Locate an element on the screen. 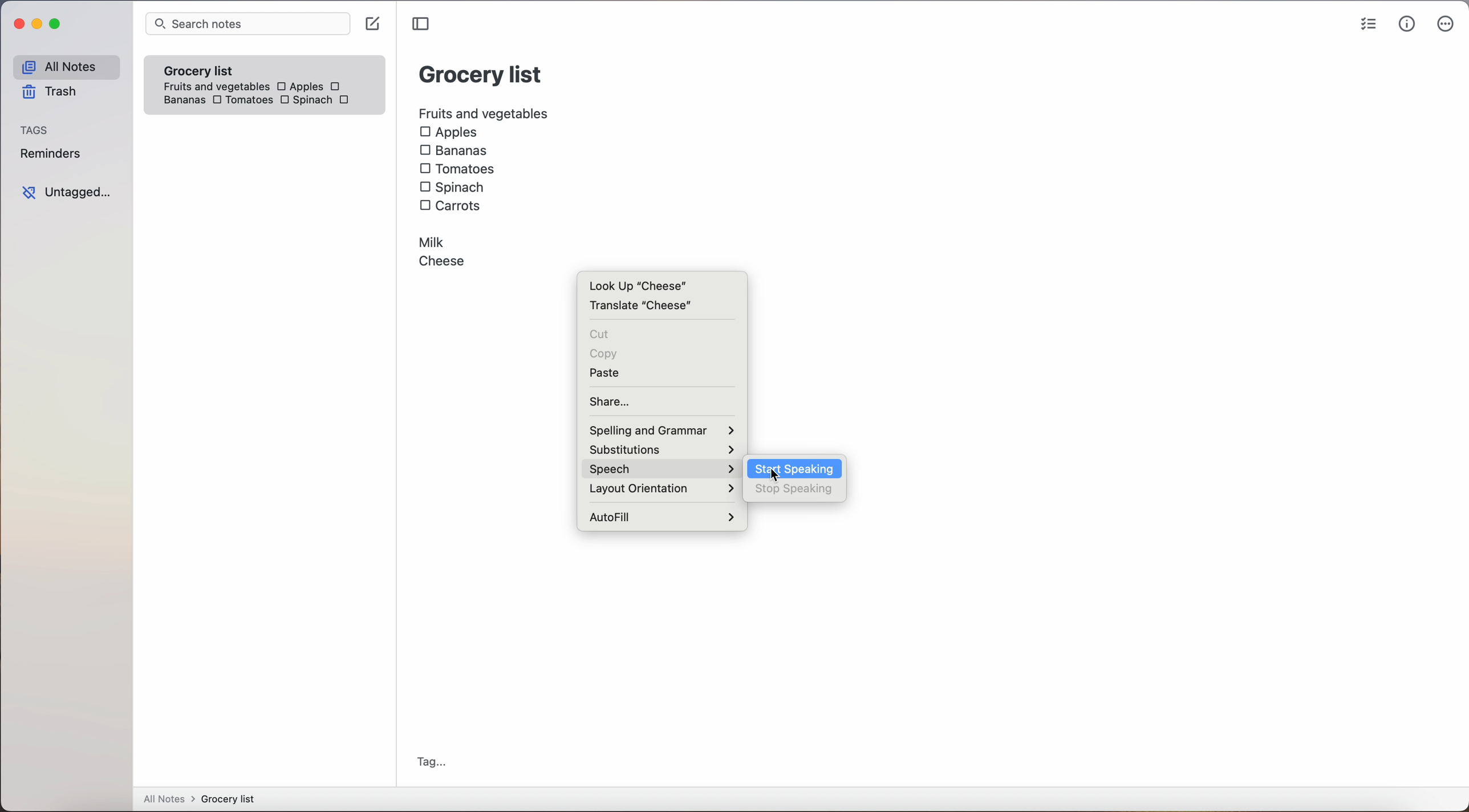 The width and height of the screenshot is (1469, 812). check list is located at coordinates (1364, 24).